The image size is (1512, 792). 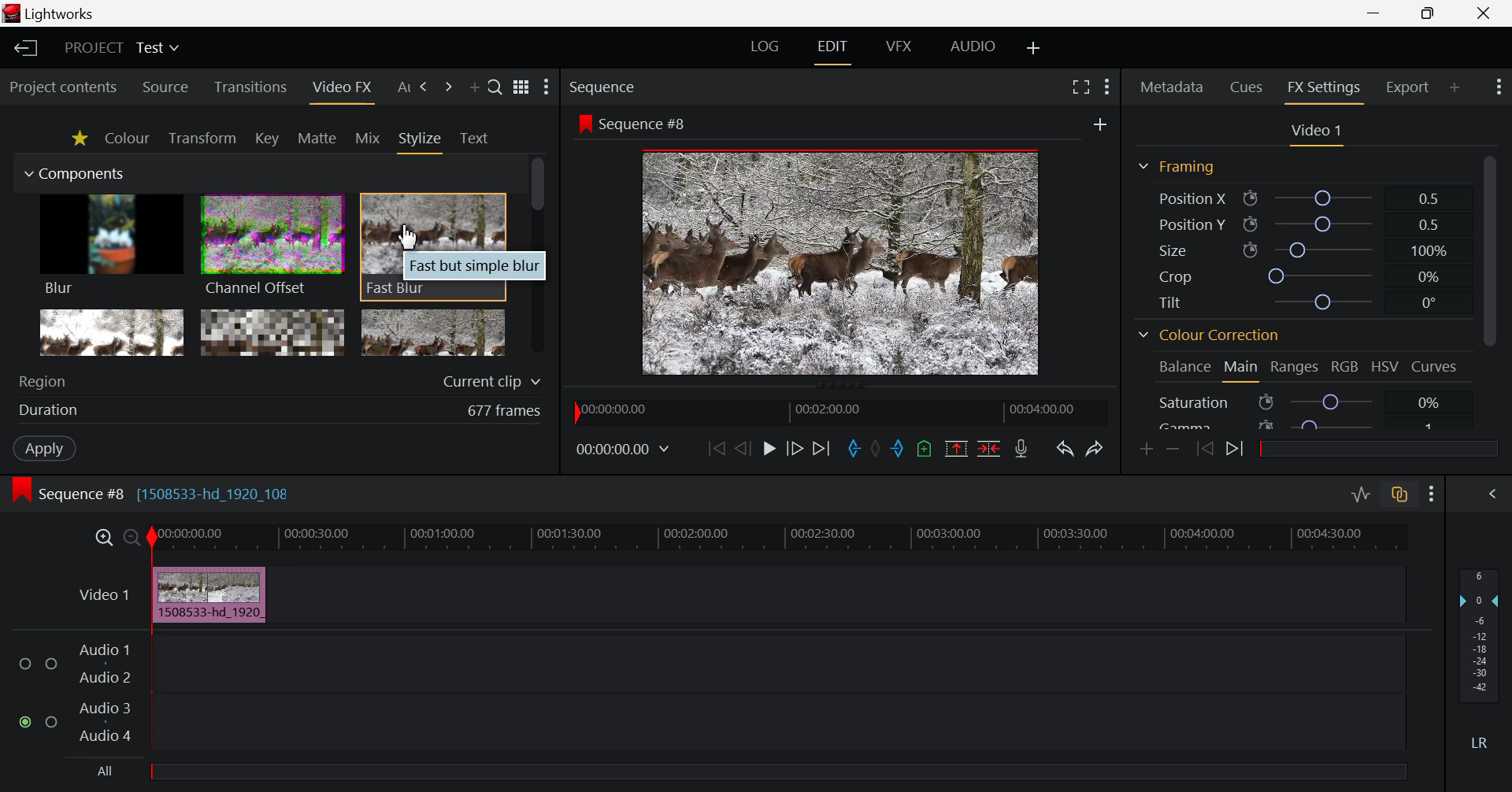 I want to click on Project contents, so click(x=67, y=89).